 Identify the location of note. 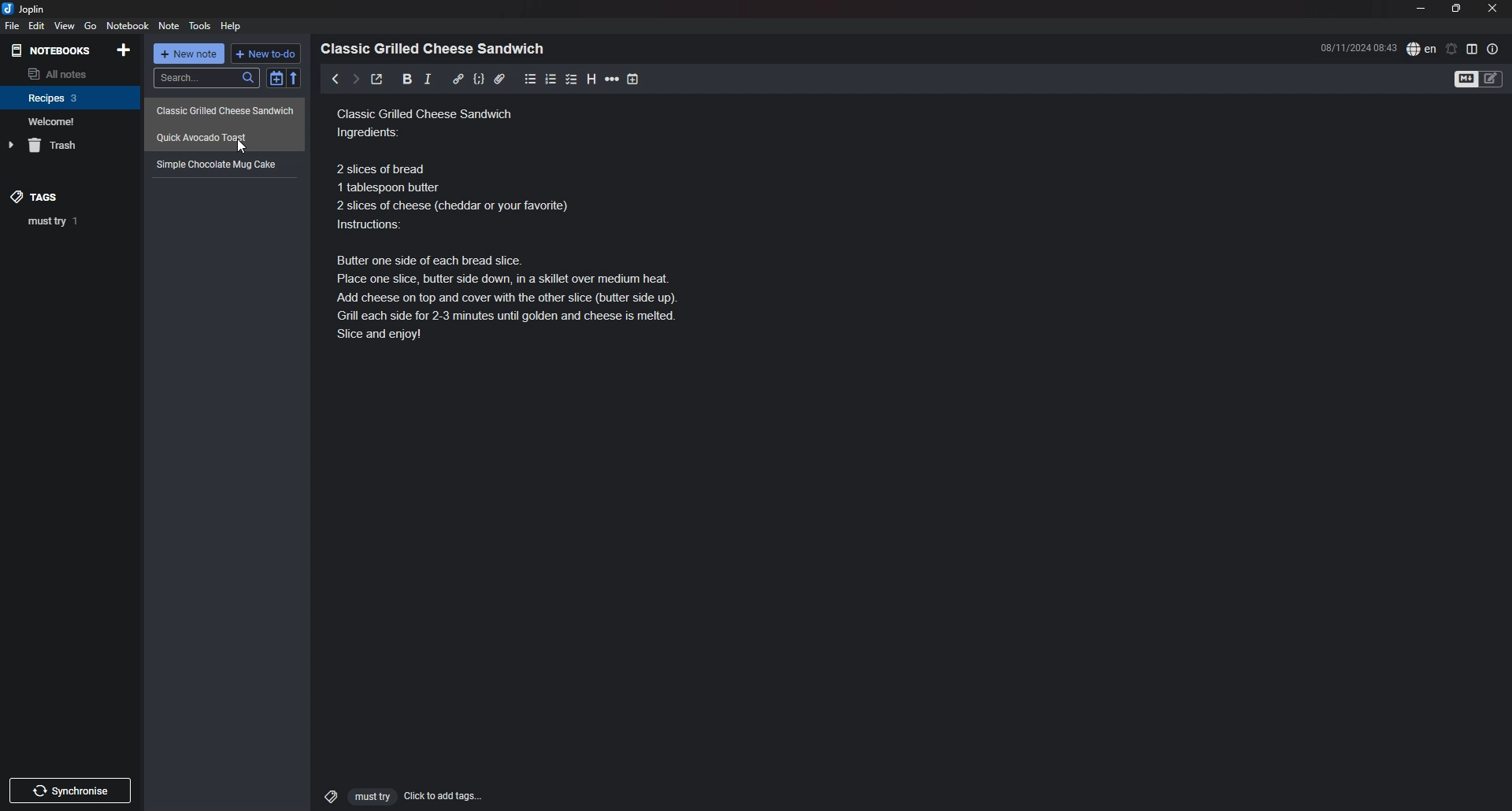
(169, 27).